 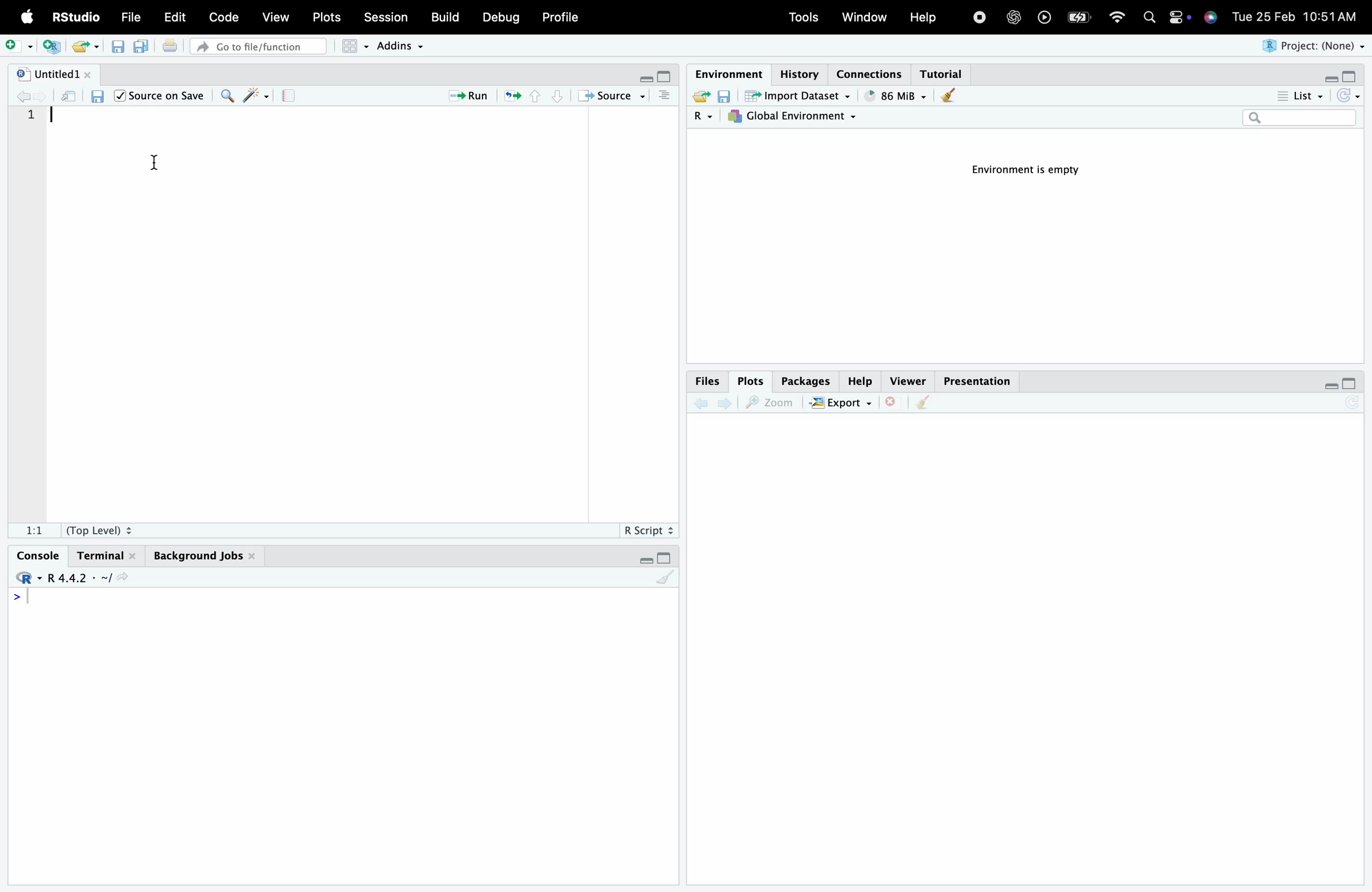 I want to click on + Source ~, so click(x=613, y=96).